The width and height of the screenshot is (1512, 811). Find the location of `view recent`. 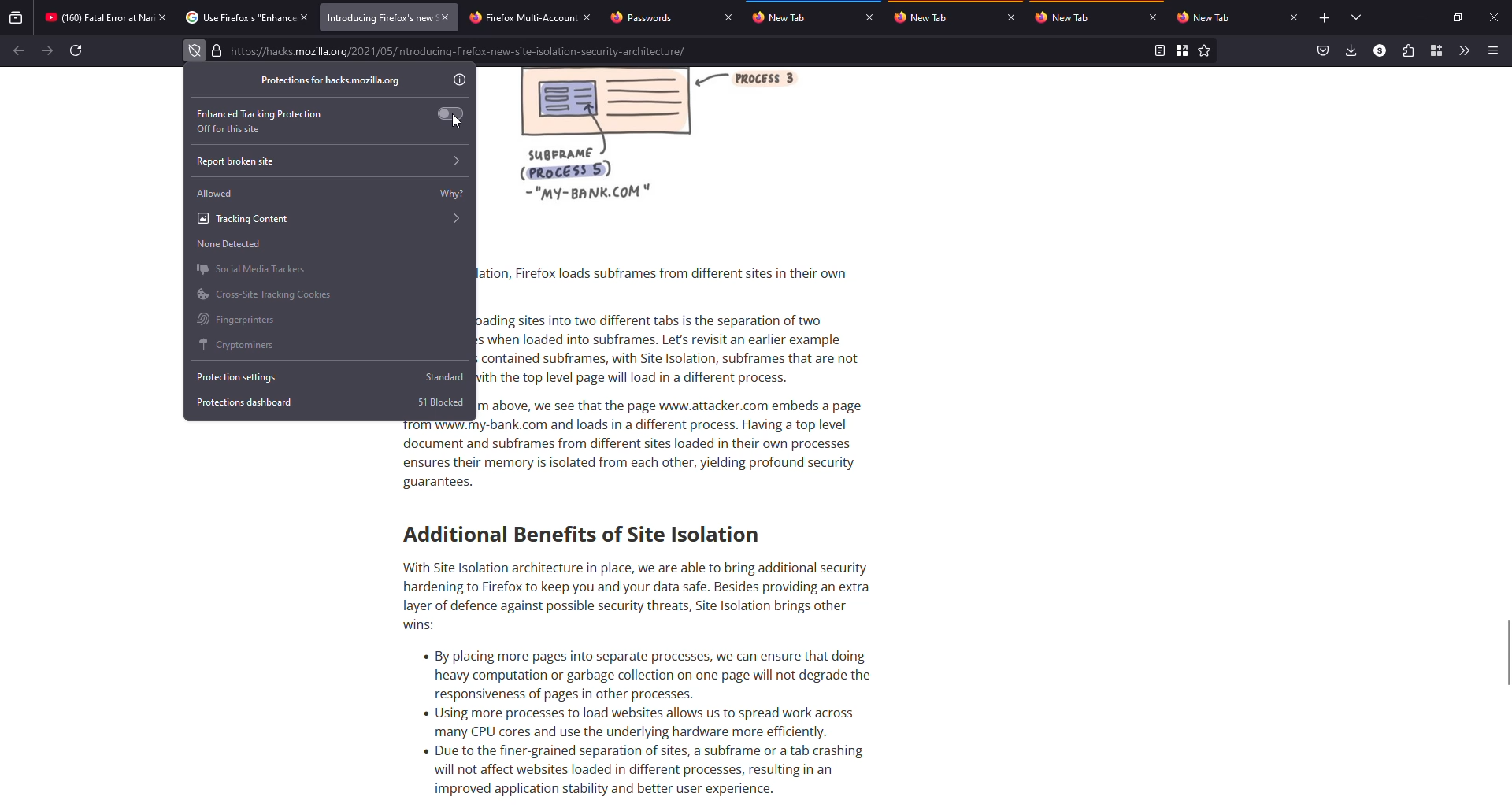

view recent is located at coordinates (17, 17).